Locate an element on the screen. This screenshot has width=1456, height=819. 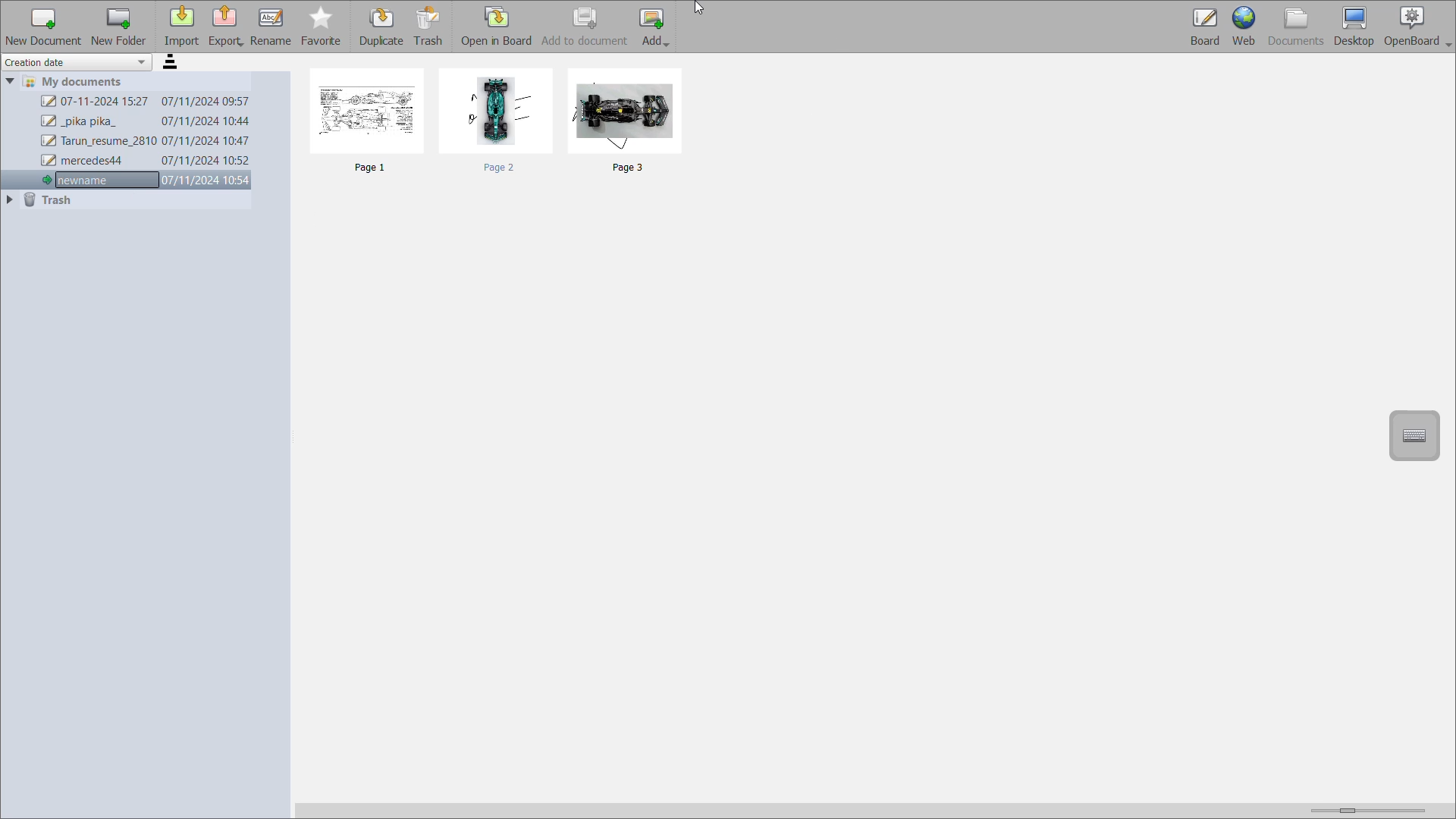
Tarun_resume_2810 07/11/2024 10:47 is located at coordinates (146, 142).